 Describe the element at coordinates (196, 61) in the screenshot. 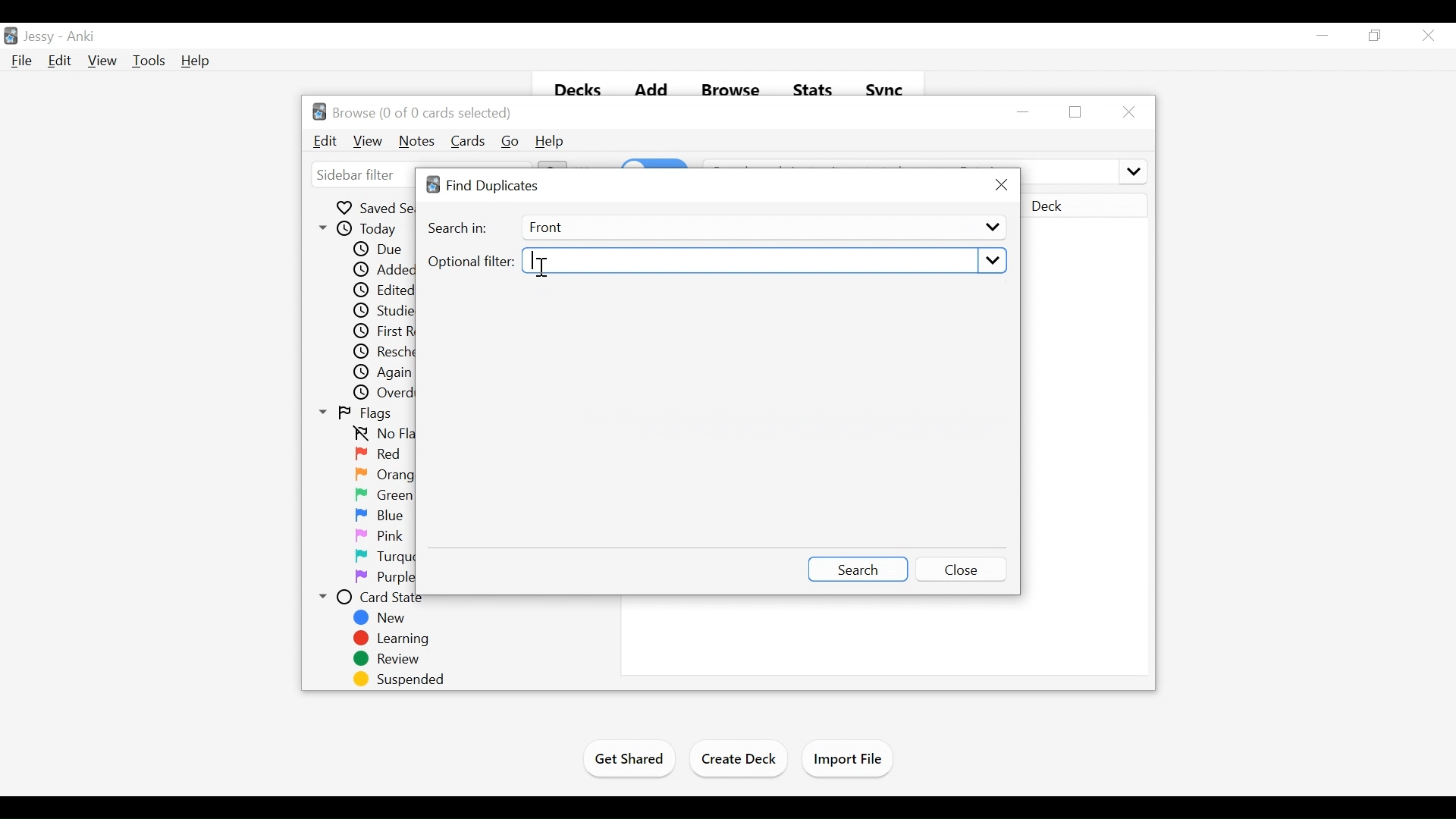

I see `Help` at that location.